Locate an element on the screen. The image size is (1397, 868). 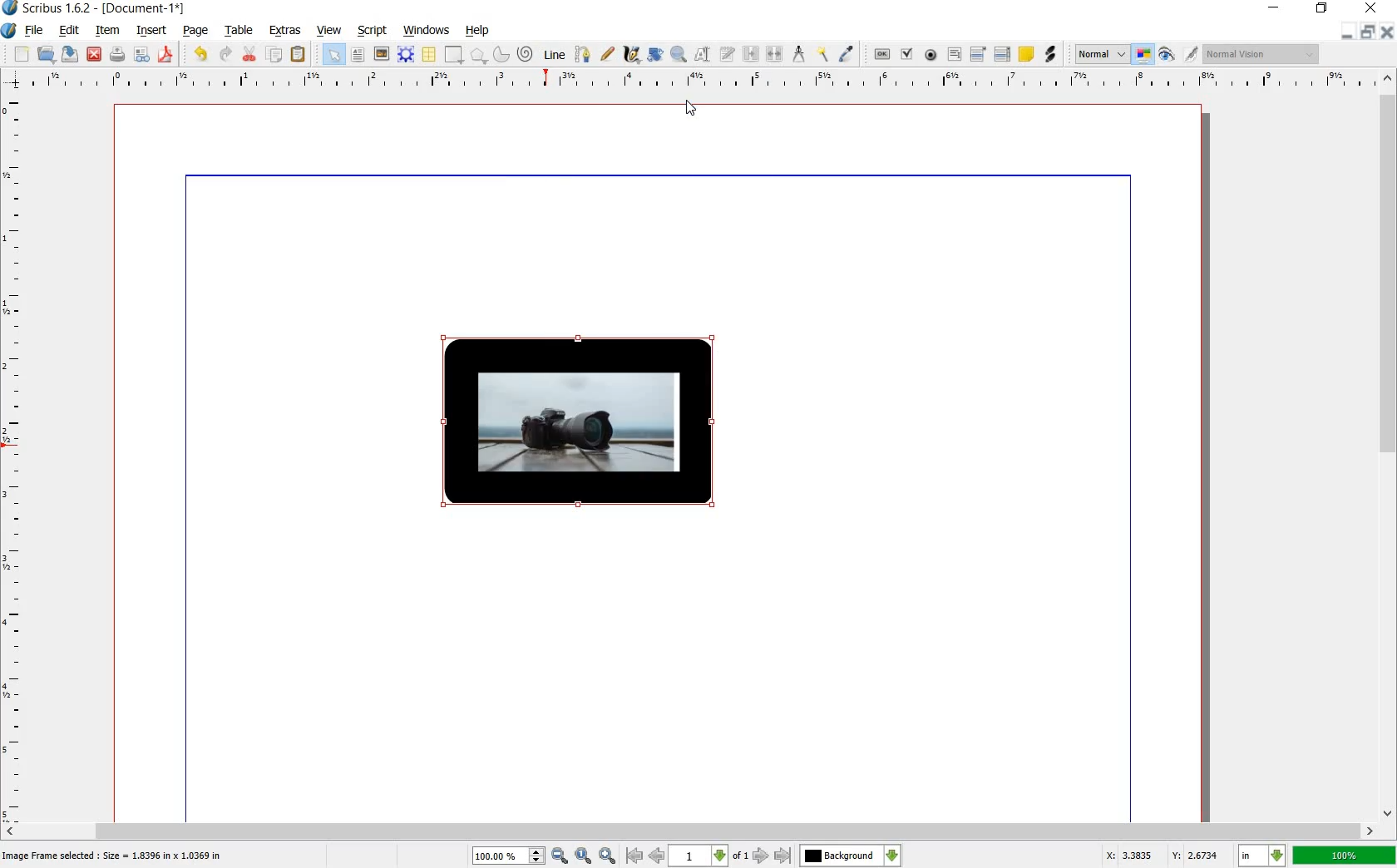
zoom in is located at coordinates (521, 855).